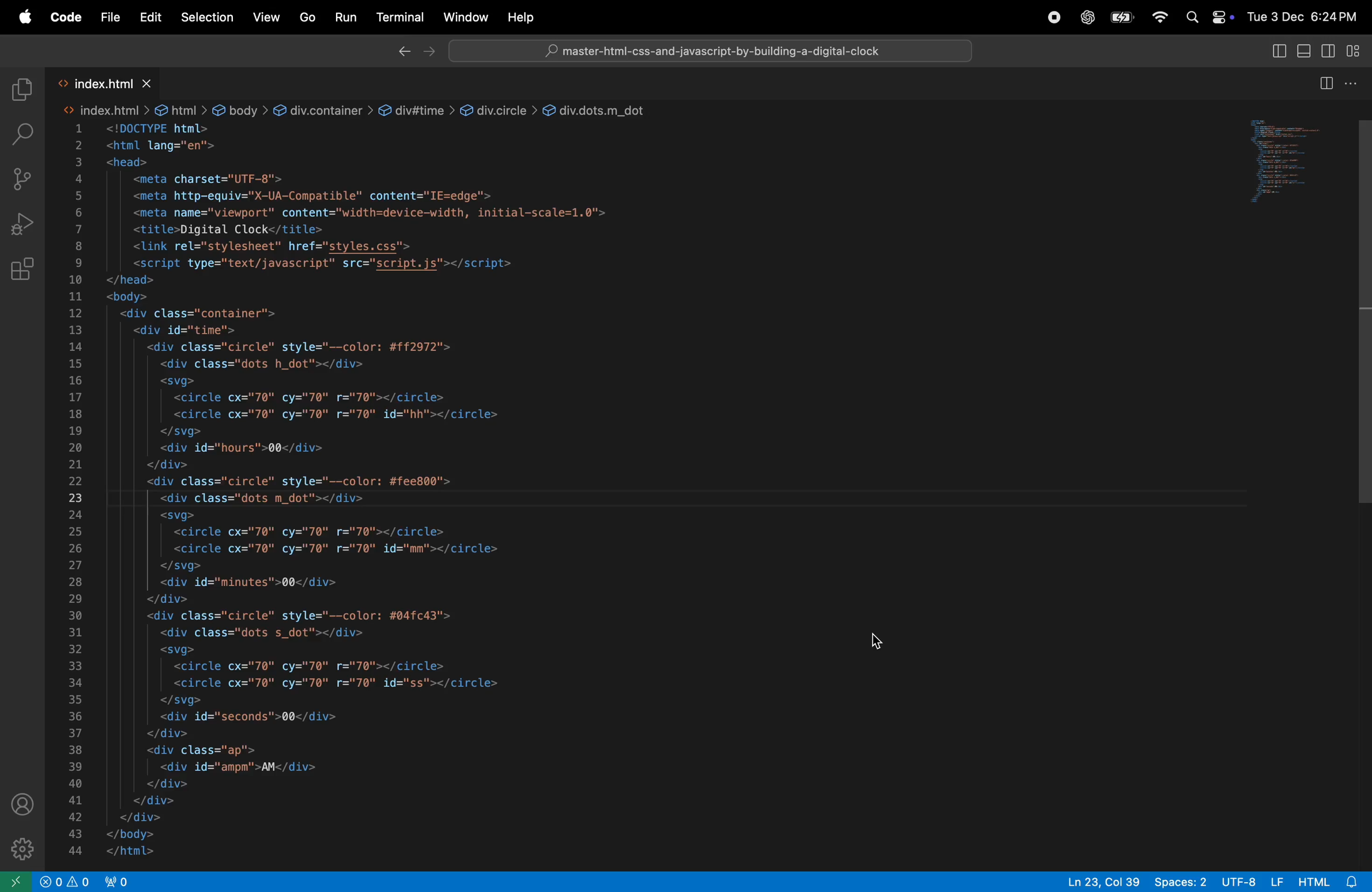  I want to click on source control, so click(20, 177).